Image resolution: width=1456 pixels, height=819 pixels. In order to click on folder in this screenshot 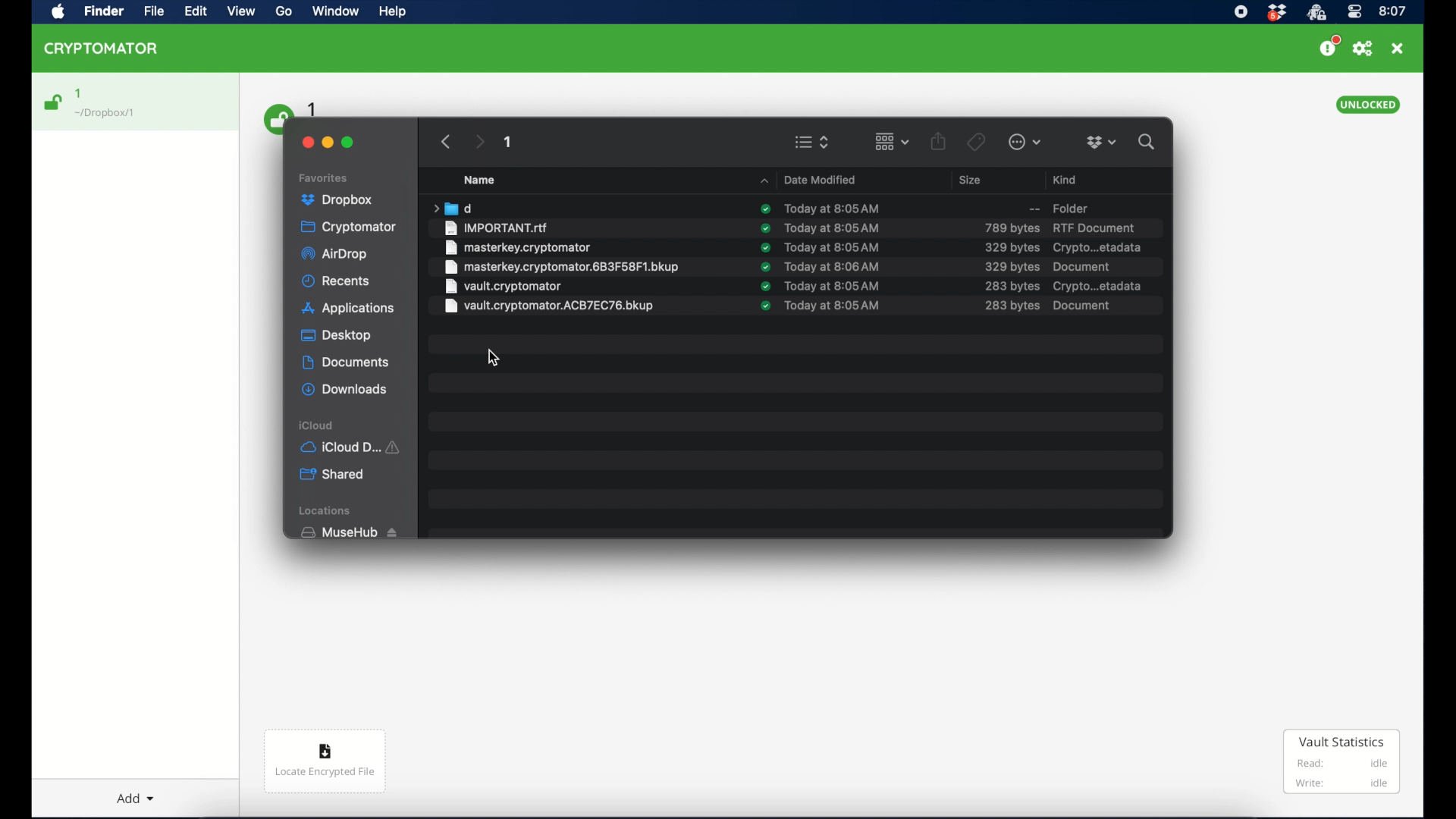, I will do `click(451, 208)`.